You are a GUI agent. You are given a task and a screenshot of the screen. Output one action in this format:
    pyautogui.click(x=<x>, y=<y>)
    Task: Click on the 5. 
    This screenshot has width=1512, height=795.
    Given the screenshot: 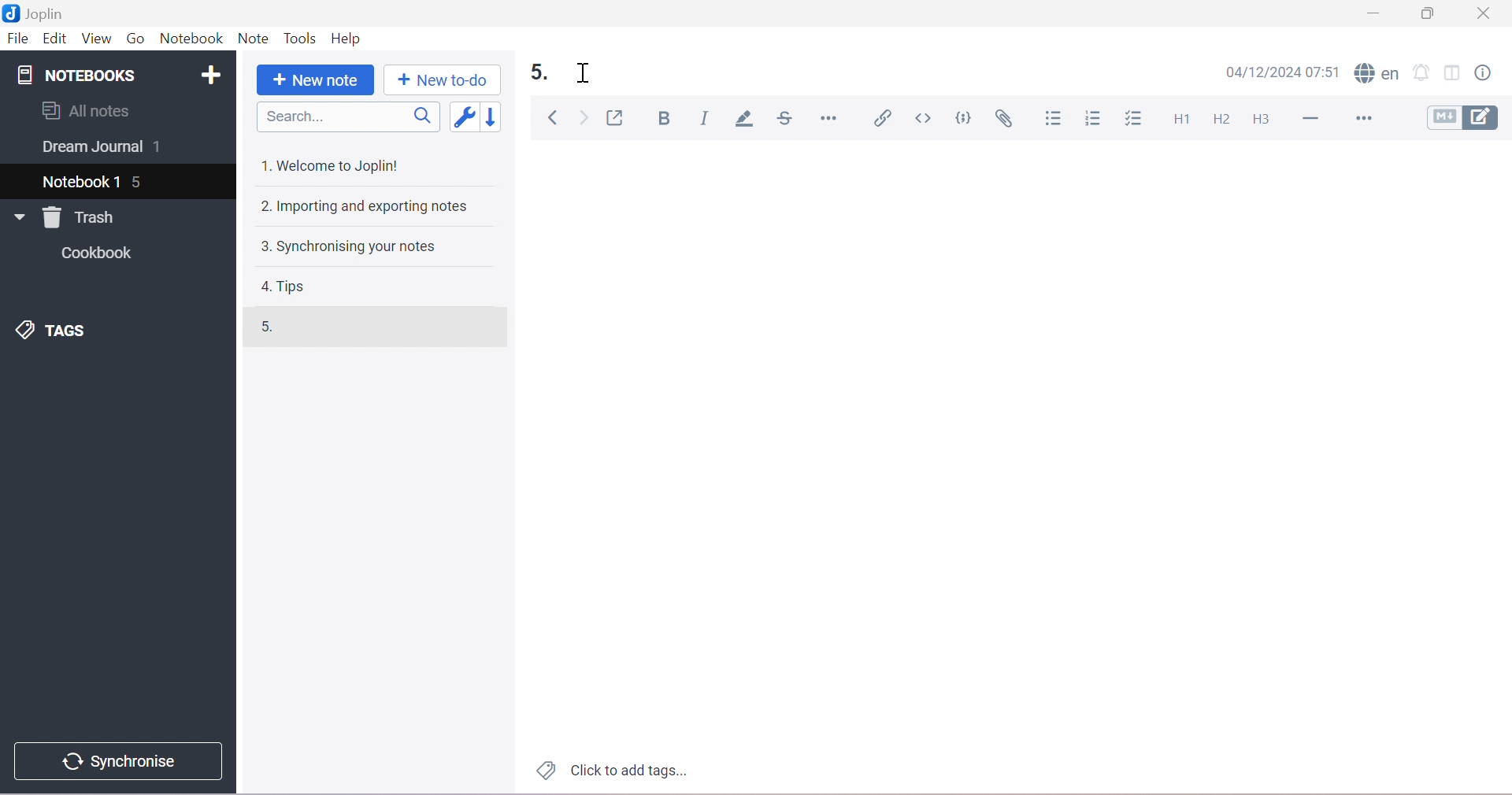 What is the action you would take?
    pyautogui.click(x=271, y=328)
    